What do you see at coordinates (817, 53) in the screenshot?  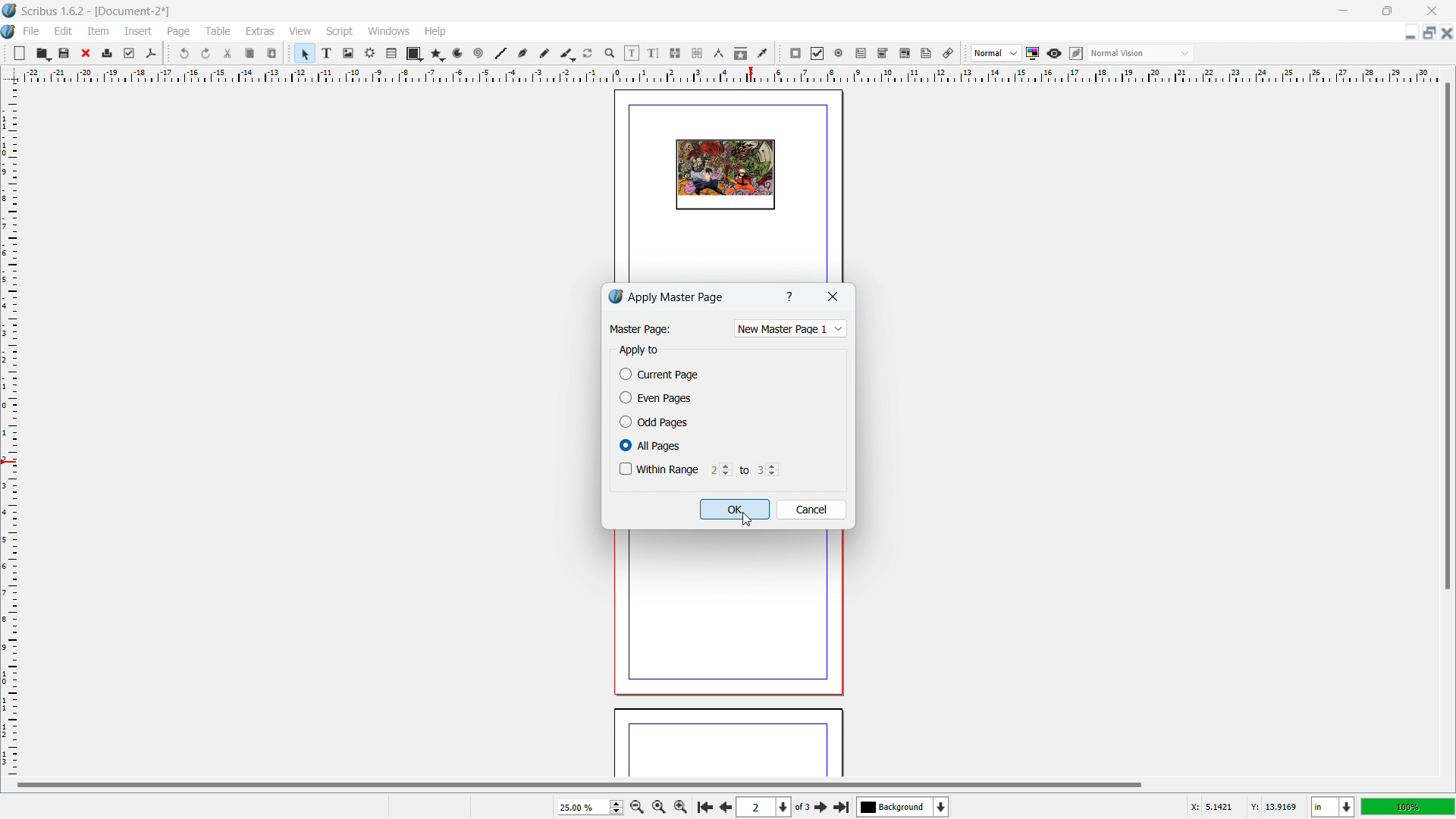 I see `pdf checkbox` at bounding box center [817, 53].